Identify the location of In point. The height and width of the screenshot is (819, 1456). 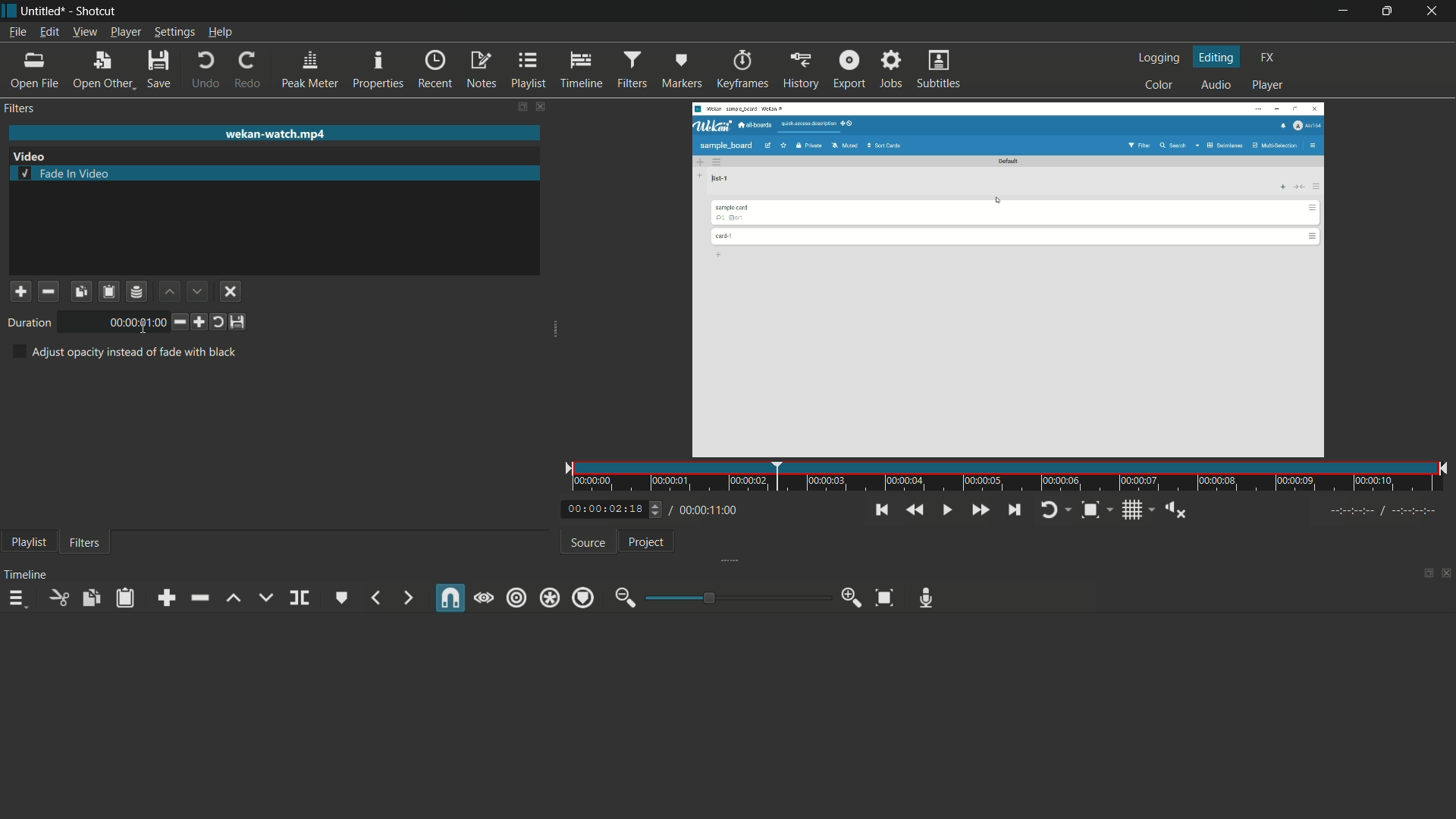
(1385, 512).